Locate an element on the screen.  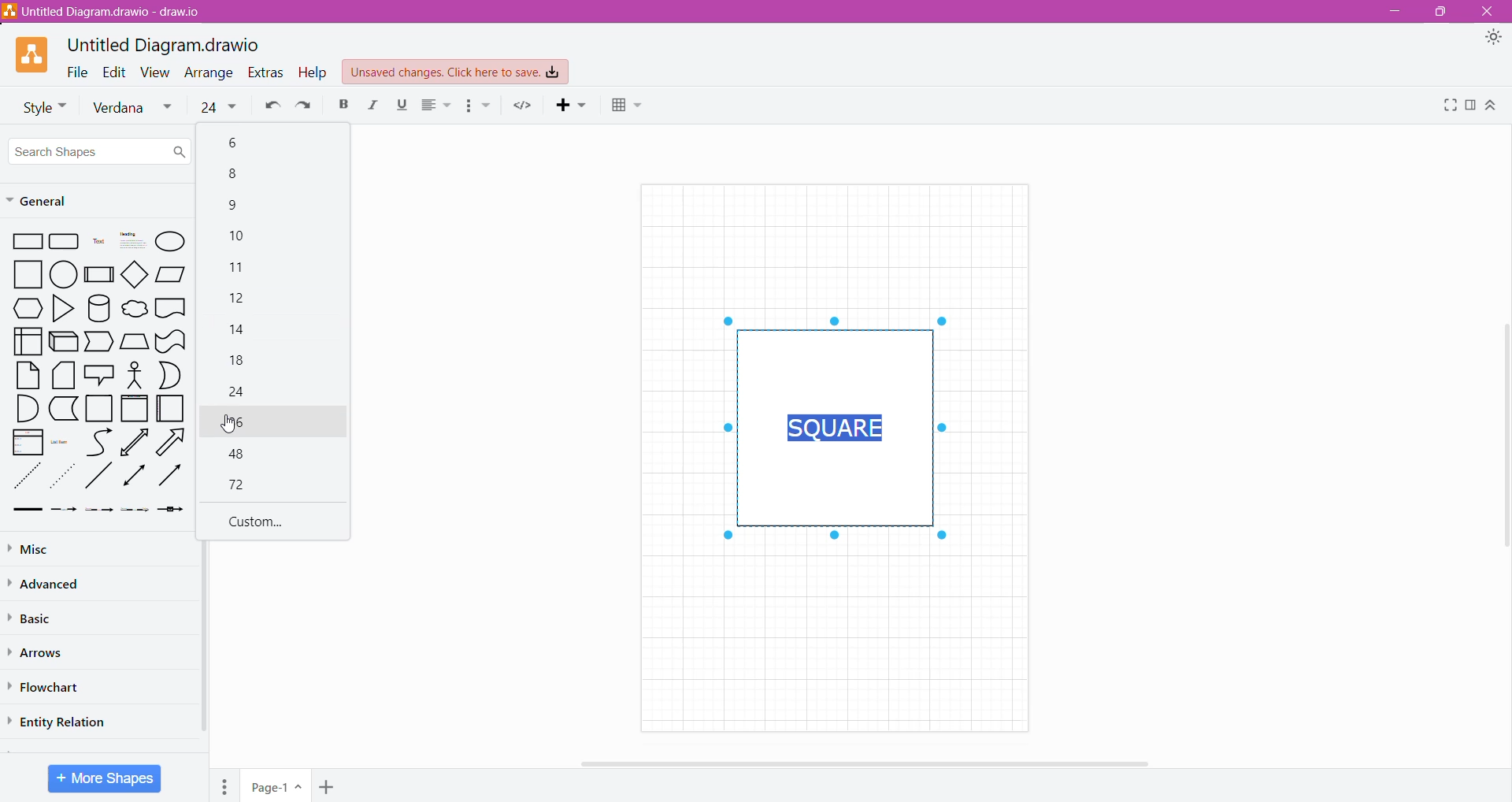
Cursor on 26 is located at coordinates (230, 425).